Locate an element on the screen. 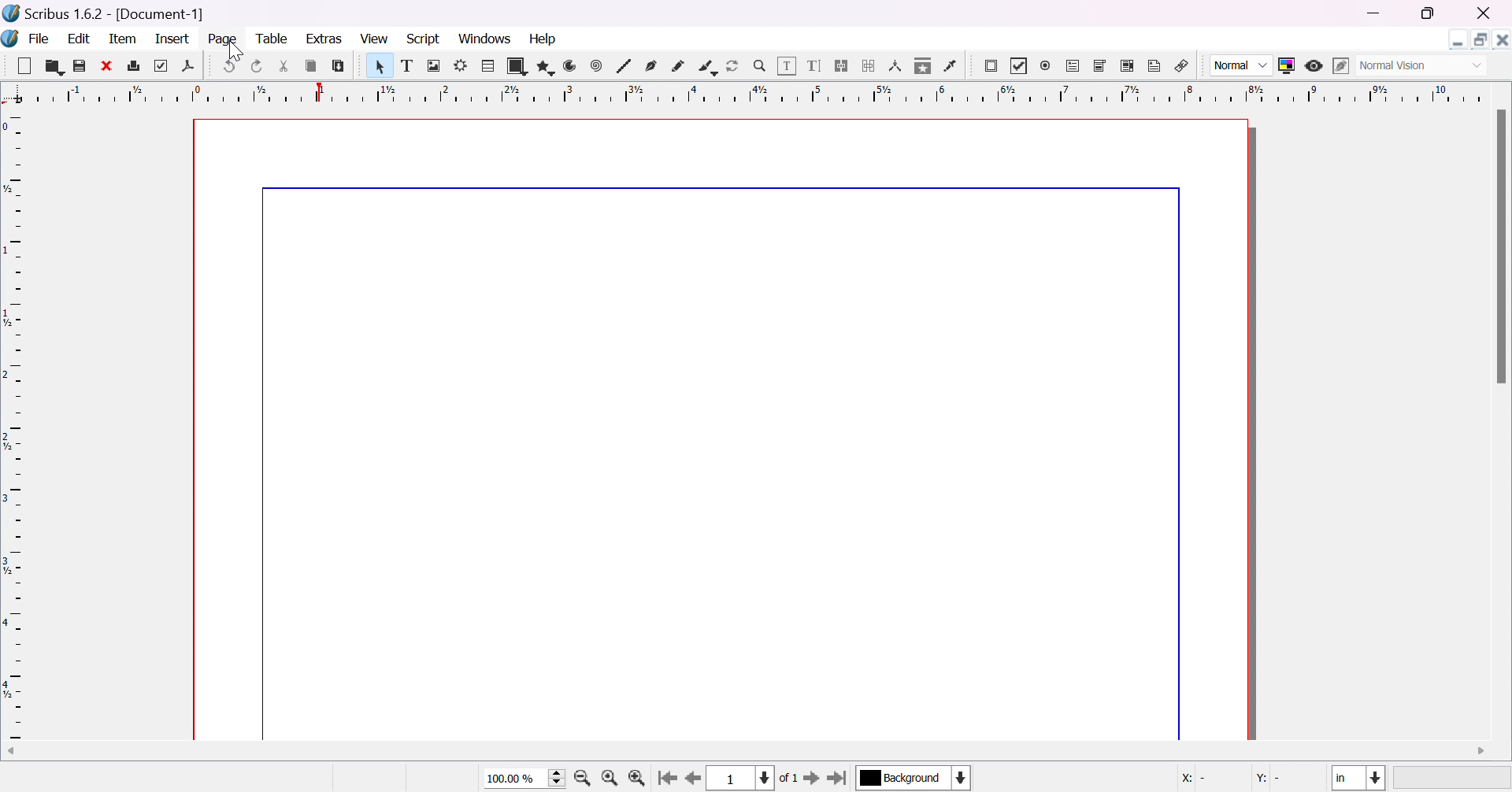  scroll bar is located at coordinates (1503, 246).